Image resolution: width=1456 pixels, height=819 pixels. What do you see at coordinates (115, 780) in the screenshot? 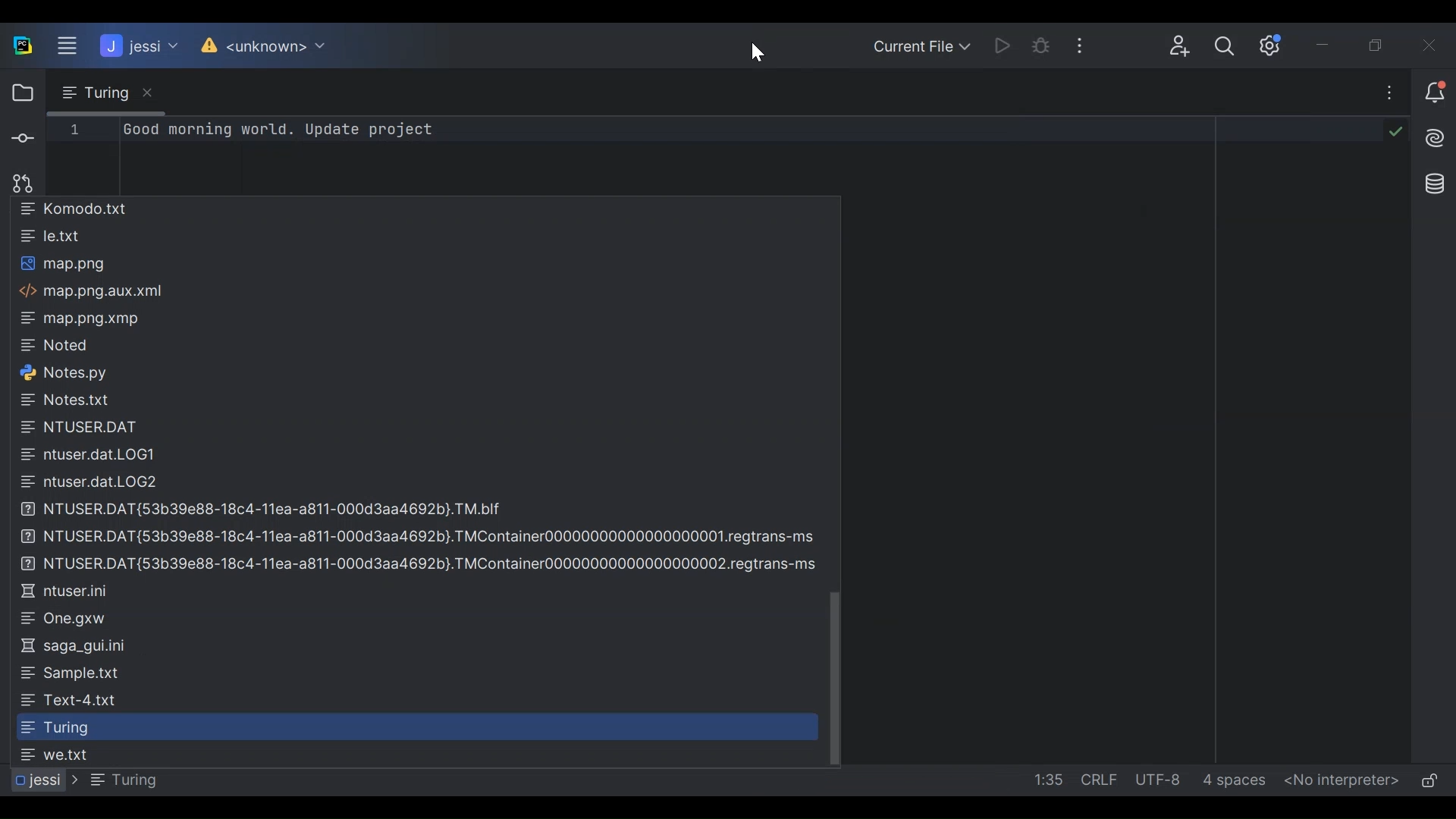
I see `turing` at bounding box center [115, 780].